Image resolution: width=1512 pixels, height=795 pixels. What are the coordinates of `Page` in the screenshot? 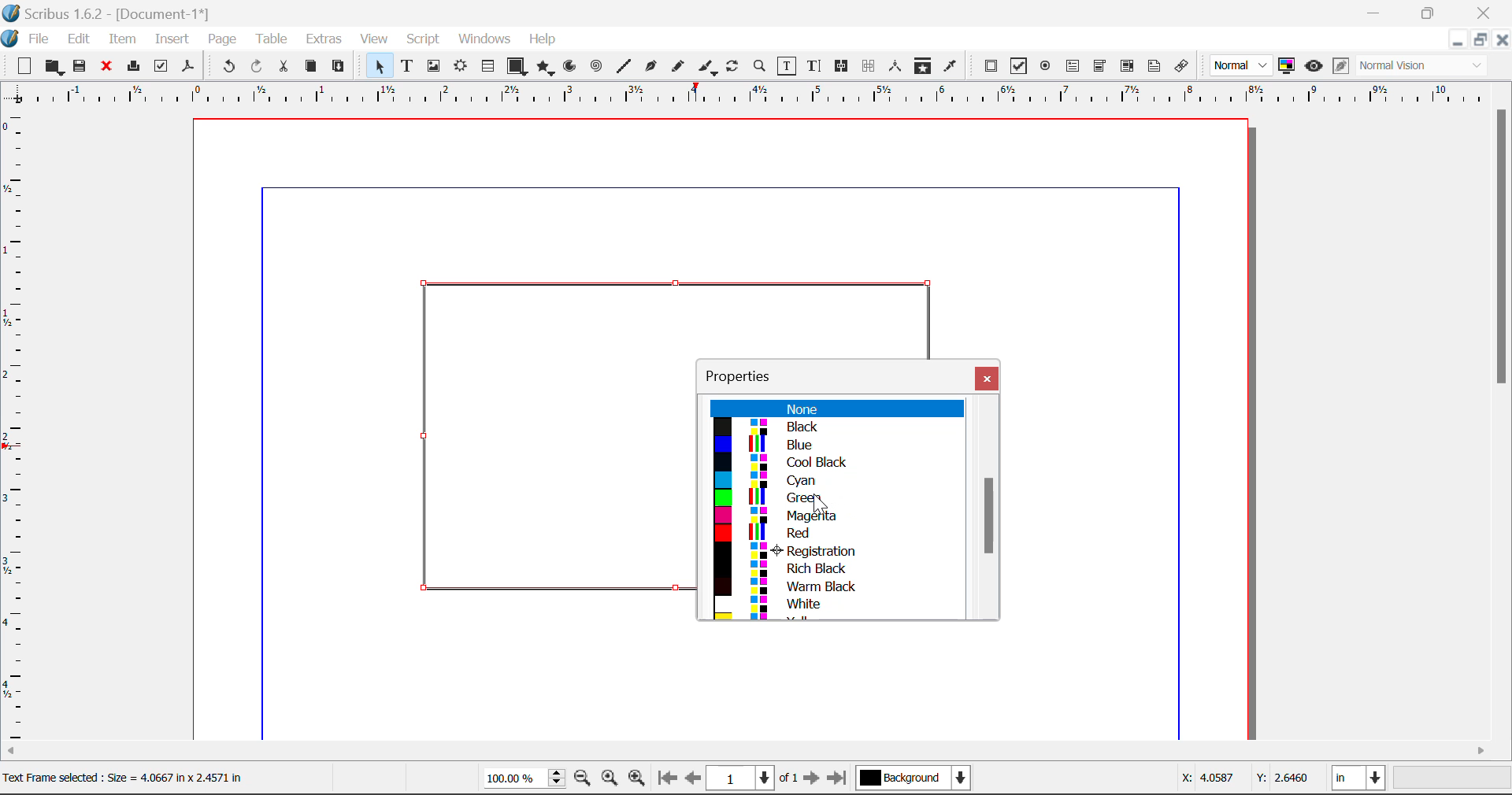 It's located at (221, 39).